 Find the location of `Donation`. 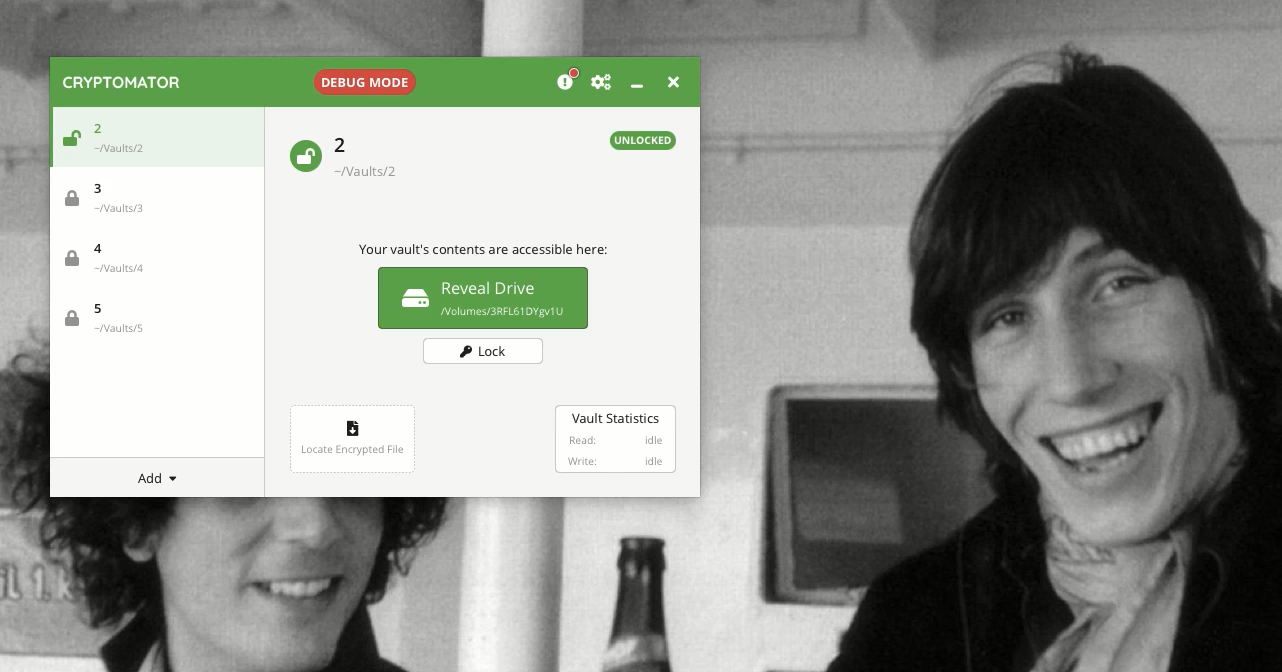

Donation is located at coordinates (568, 81).